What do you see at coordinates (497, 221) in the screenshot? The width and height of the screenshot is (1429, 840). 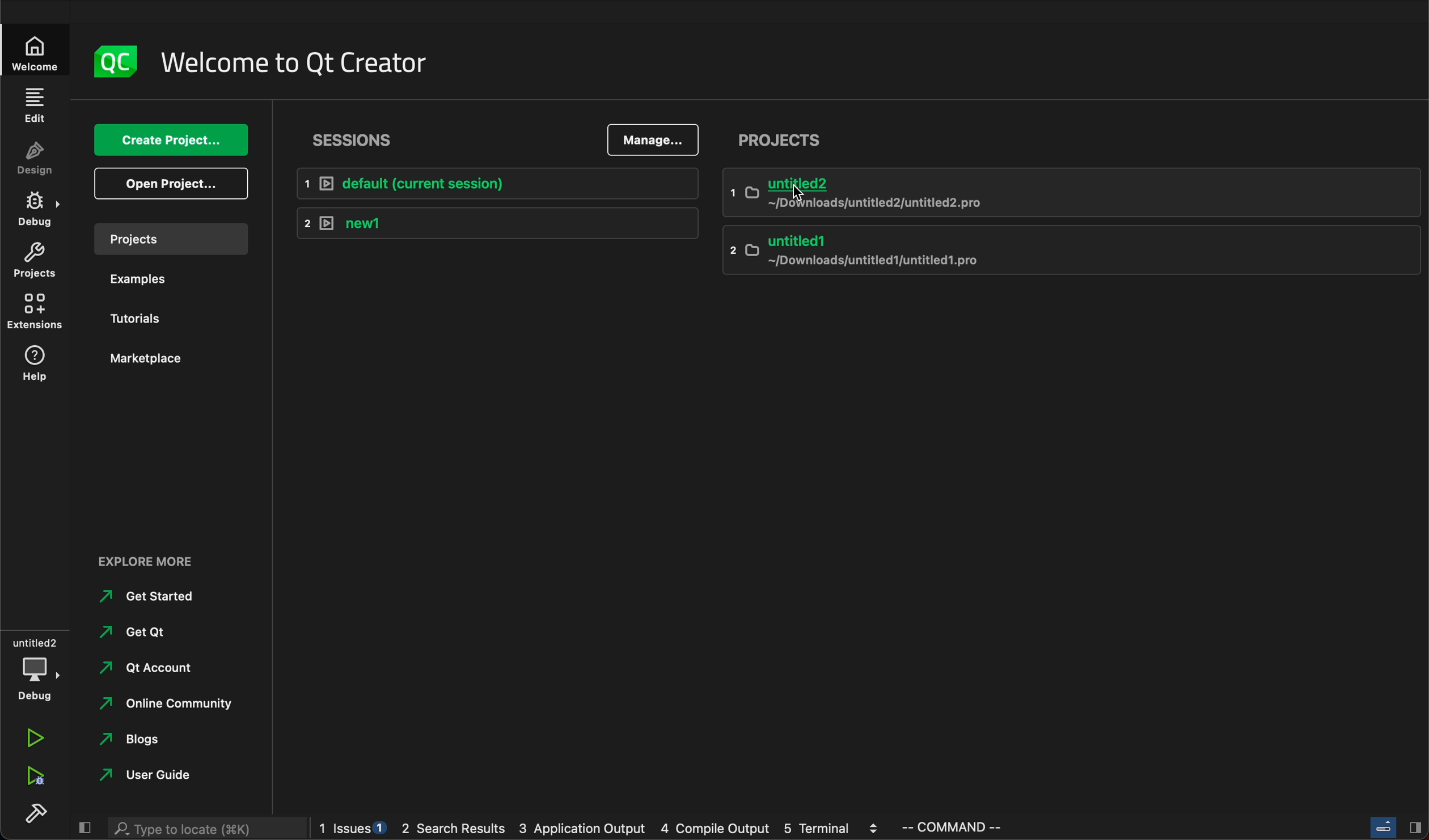 I see `new1` at bounding box center [497, 221].